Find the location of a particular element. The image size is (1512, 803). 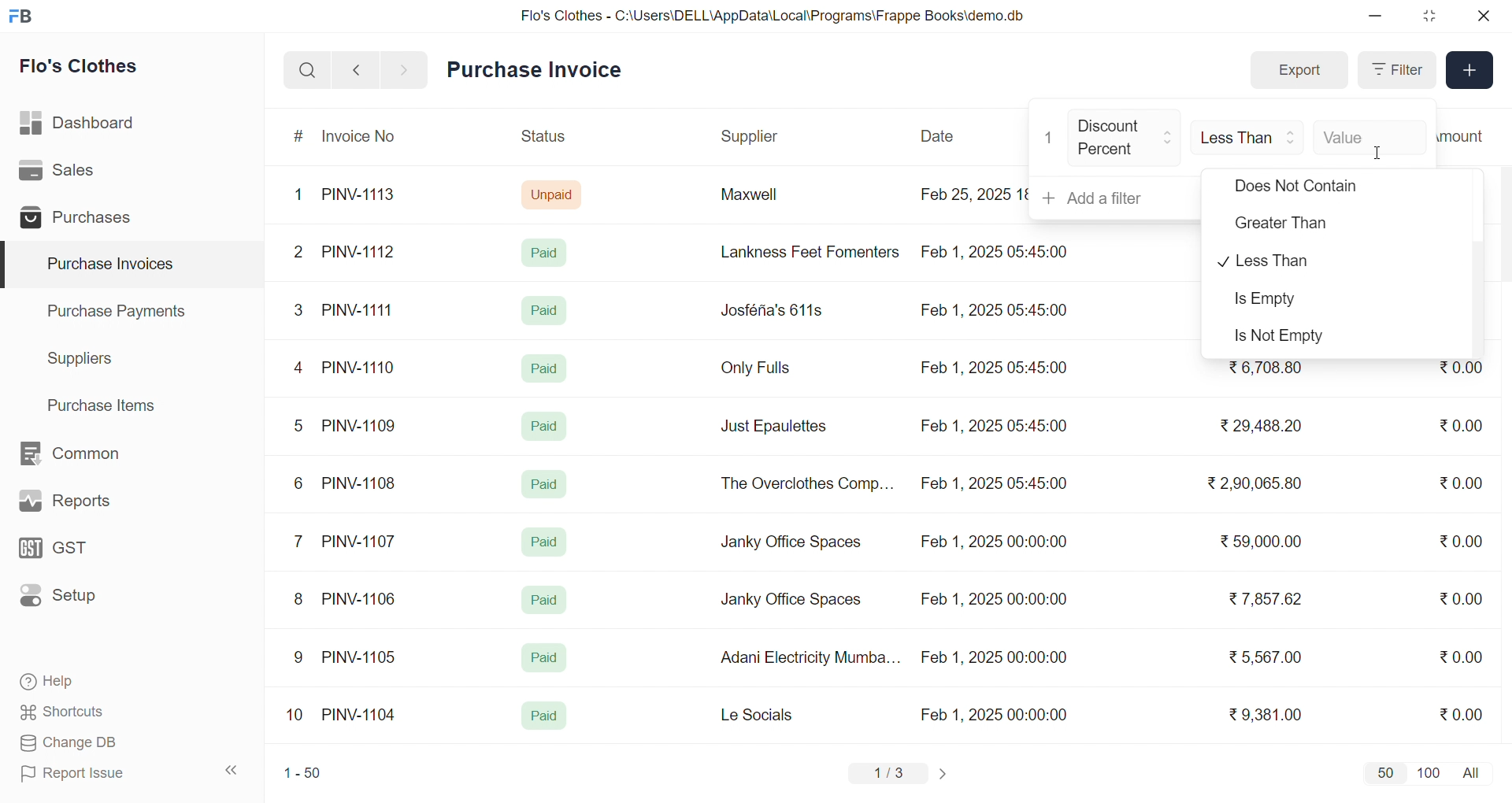

change page is located at coordinates (945, 773).